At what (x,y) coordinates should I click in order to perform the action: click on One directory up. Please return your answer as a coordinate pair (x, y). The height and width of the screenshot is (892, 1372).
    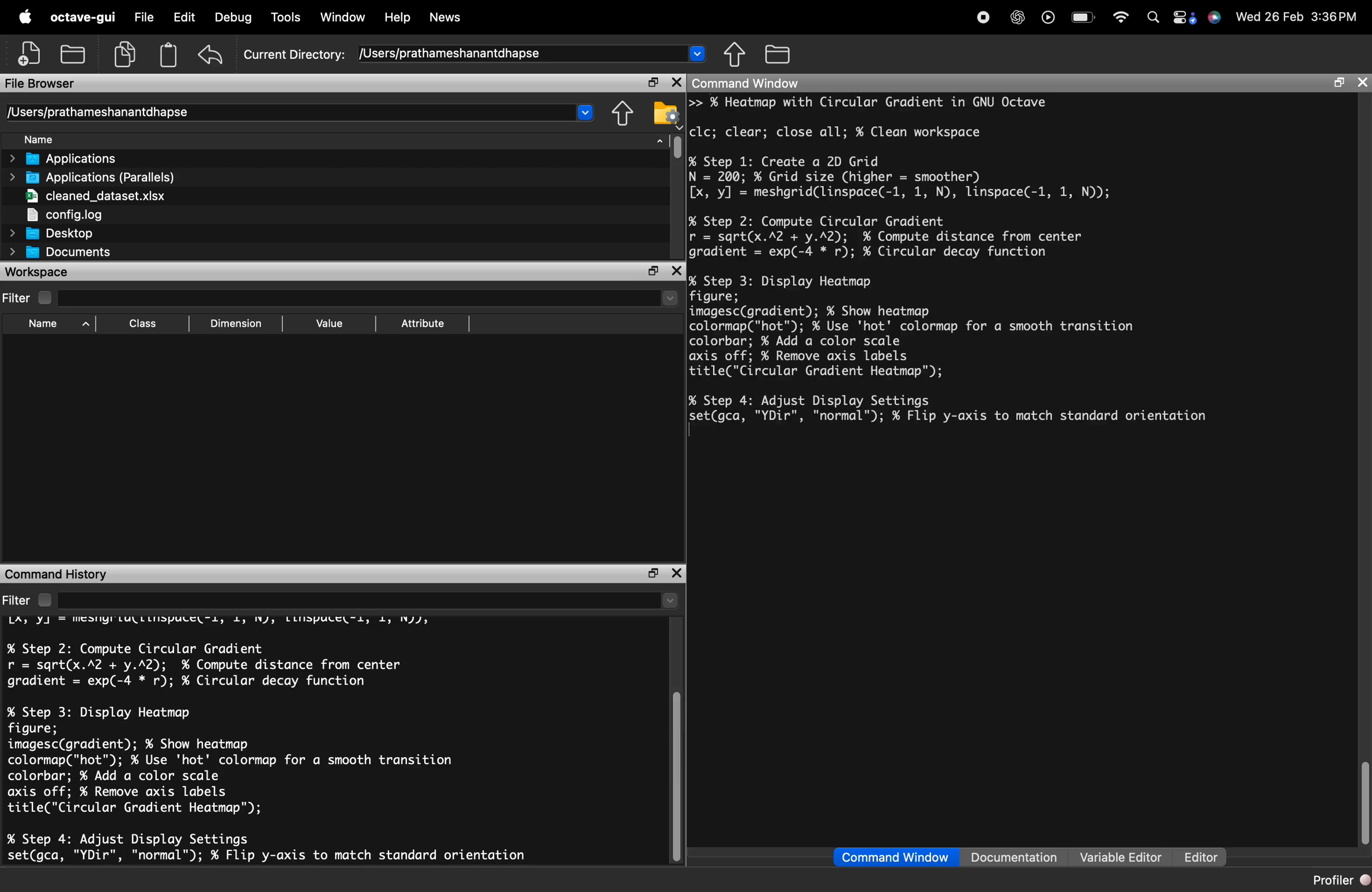
    Looking at the image, I should click on (777, 55).